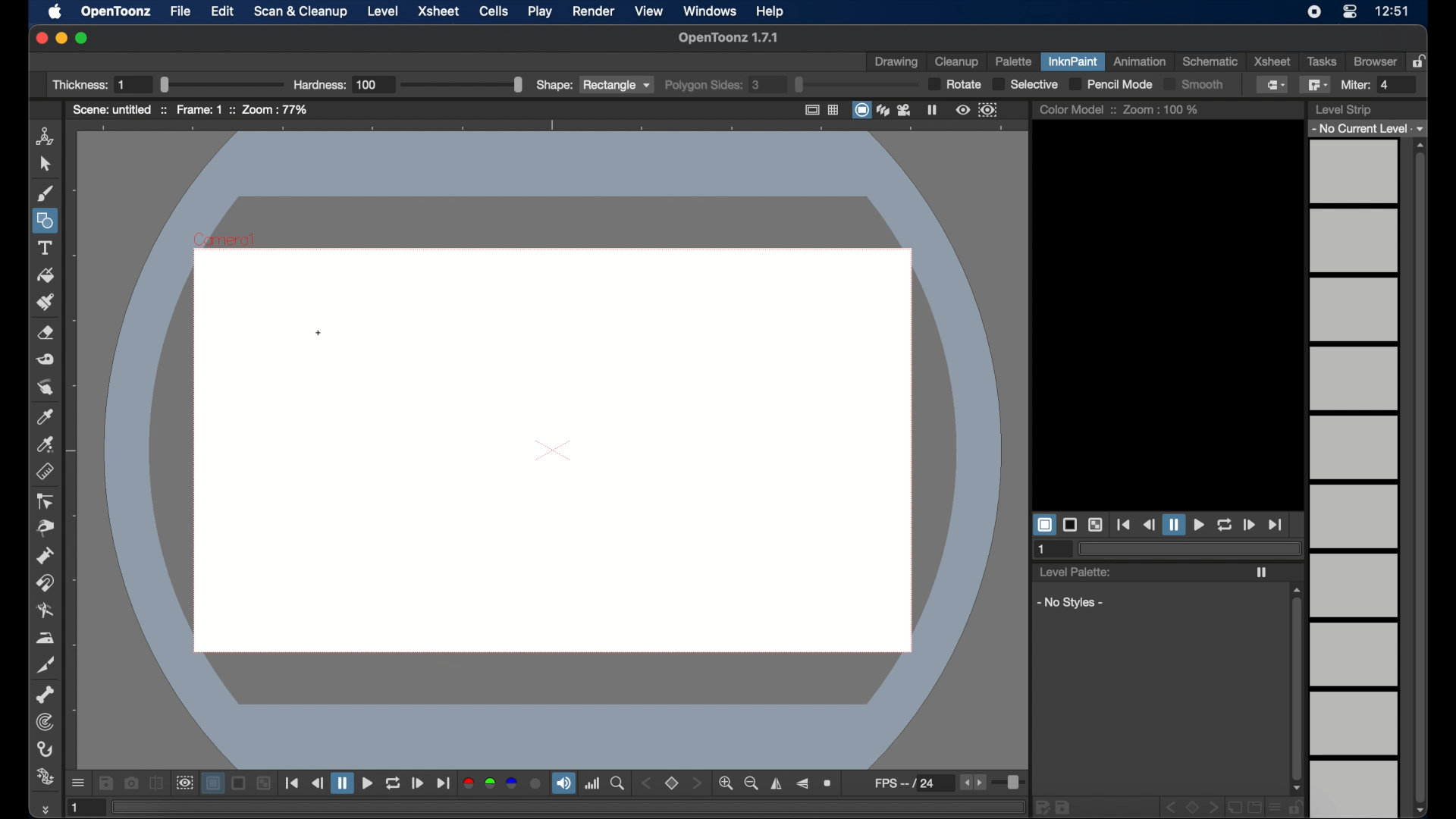 Image resolution: width=1456 pixels, height=819 pixels. Describe the element at coordinates (40, 39) in the screenshot. I see `close` at that location.